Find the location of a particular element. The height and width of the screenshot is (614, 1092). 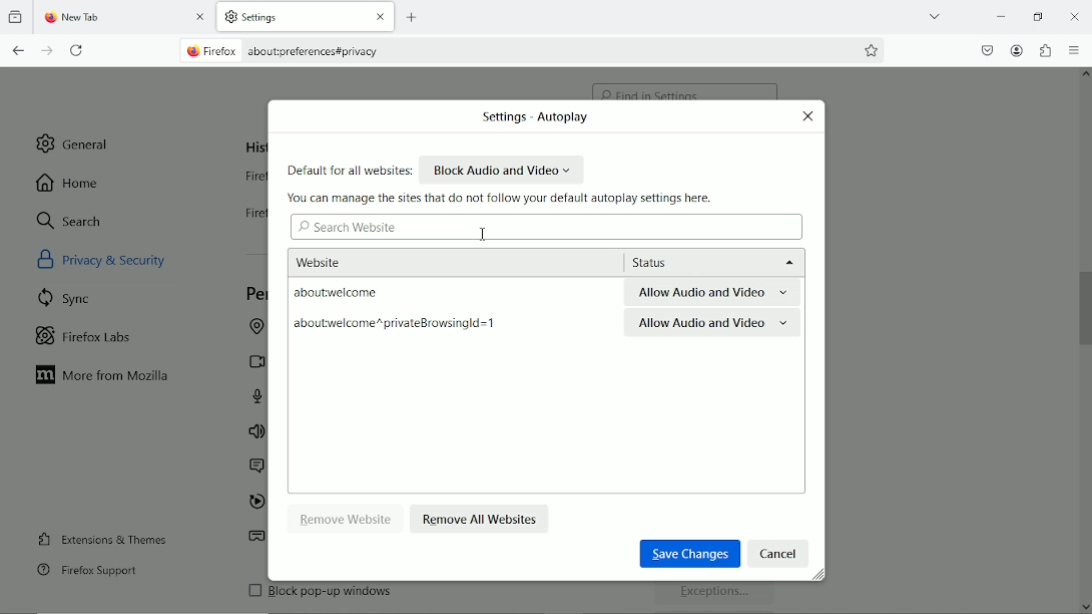

firefox is located at coordinates (224, 52).